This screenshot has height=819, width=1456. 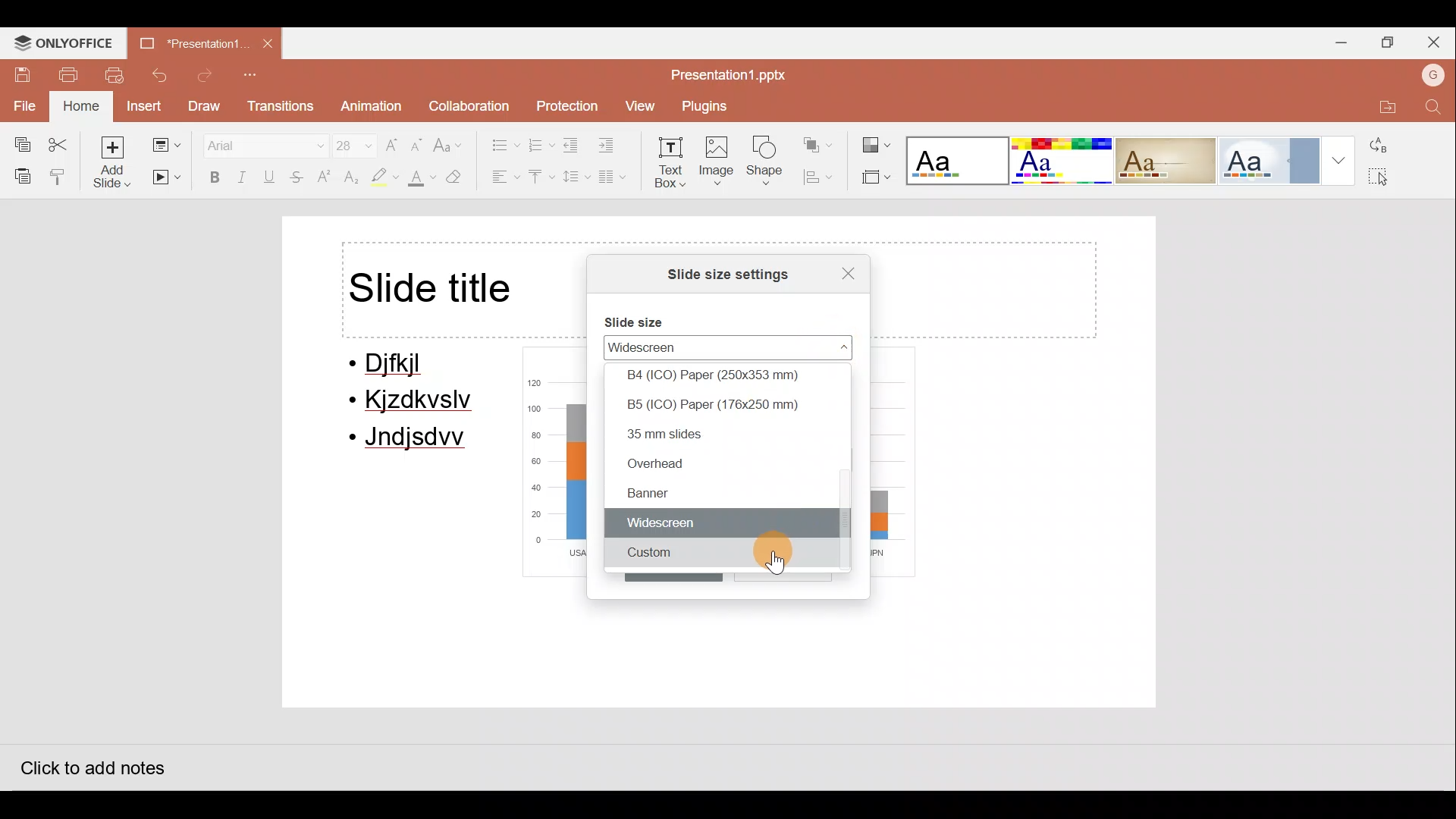 I want to click on Cut, so click(x=62, y=141).